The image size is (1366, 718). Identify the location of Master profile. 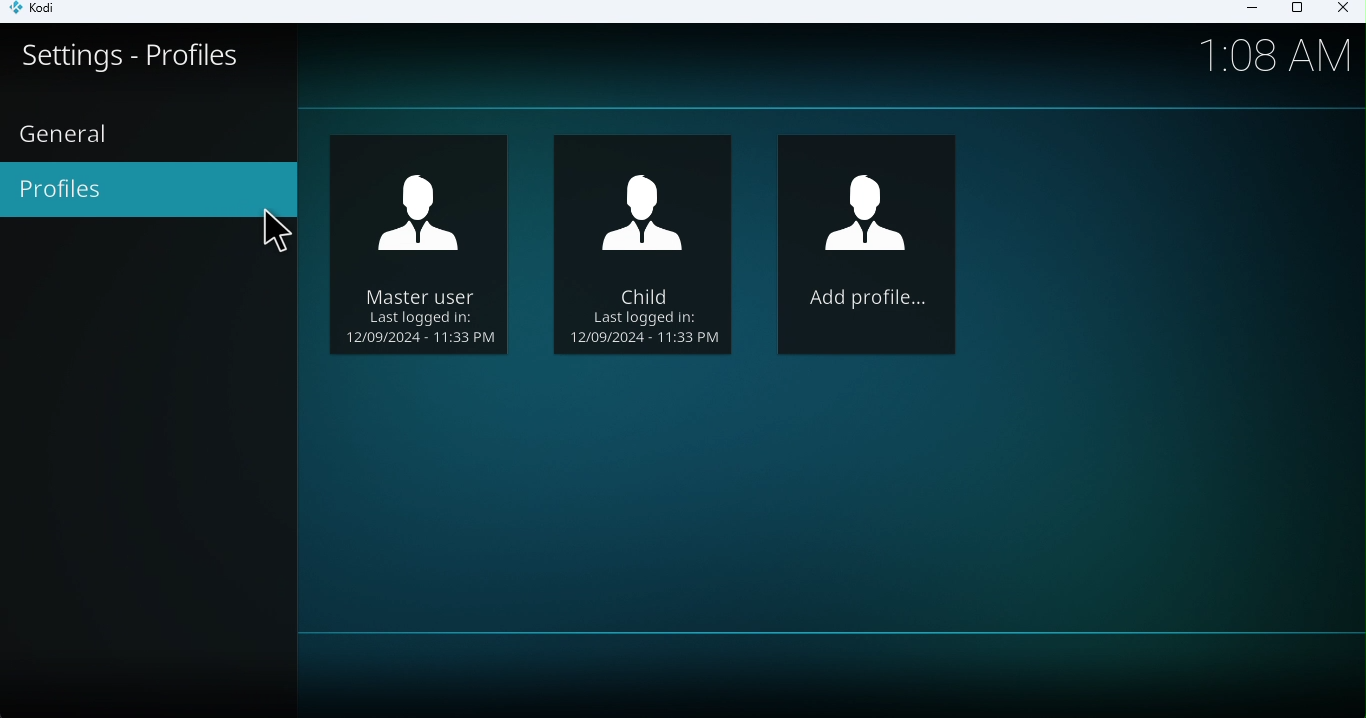
(870, 246).